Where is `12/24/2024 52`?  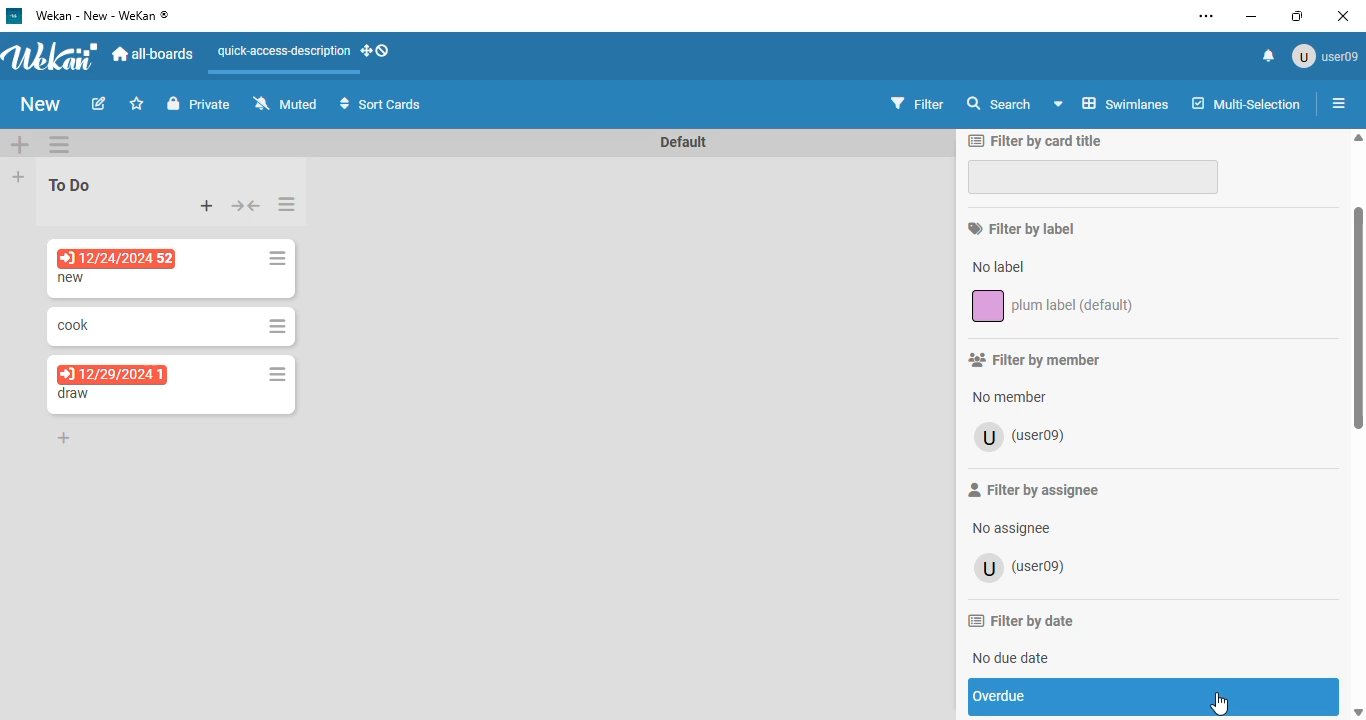
12/24/2024 52 is located at coordinates (118, 259).